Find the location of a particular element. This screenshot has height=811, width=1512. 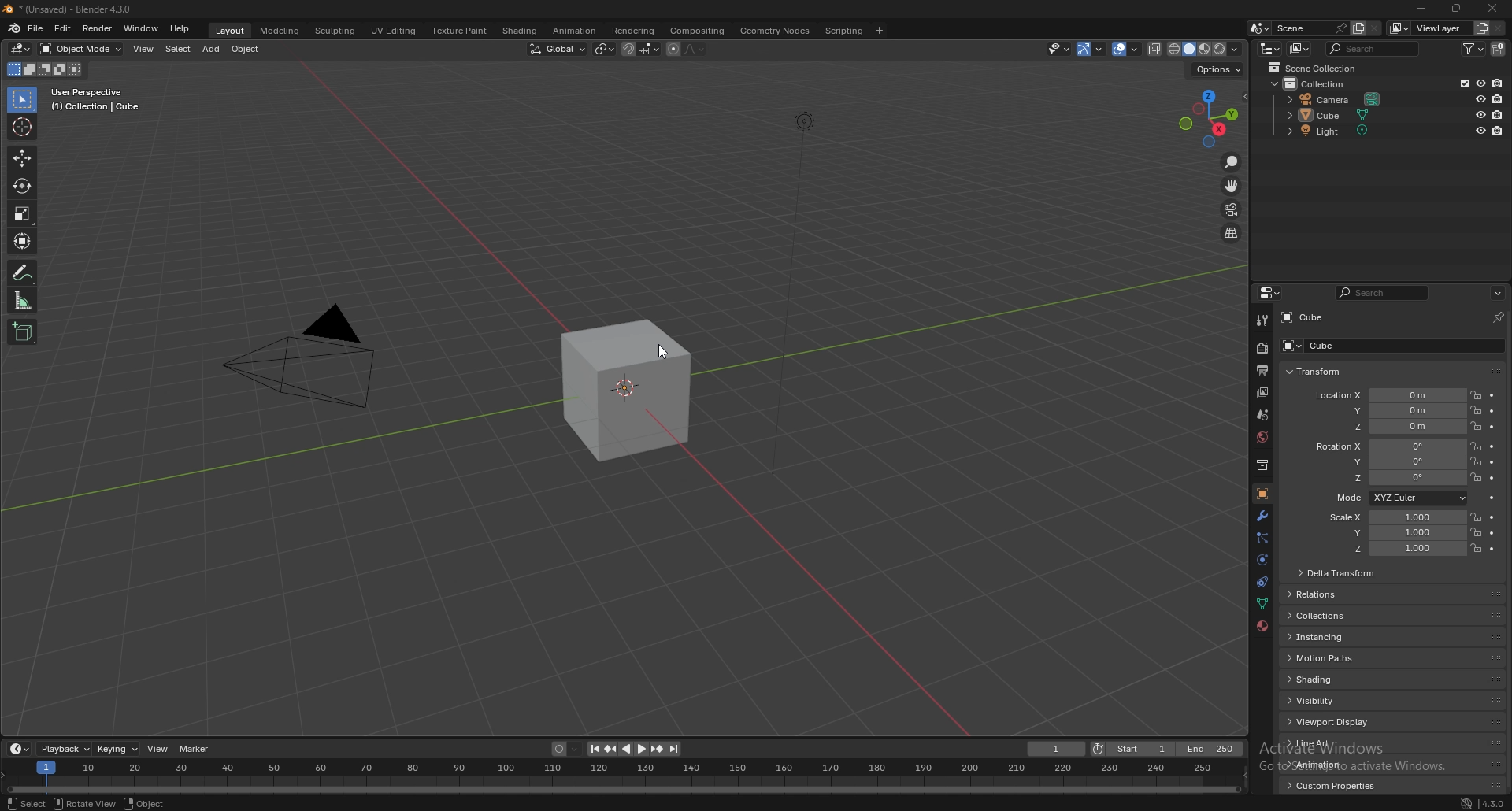

viewport shading is located at coordinates (1205, 50).